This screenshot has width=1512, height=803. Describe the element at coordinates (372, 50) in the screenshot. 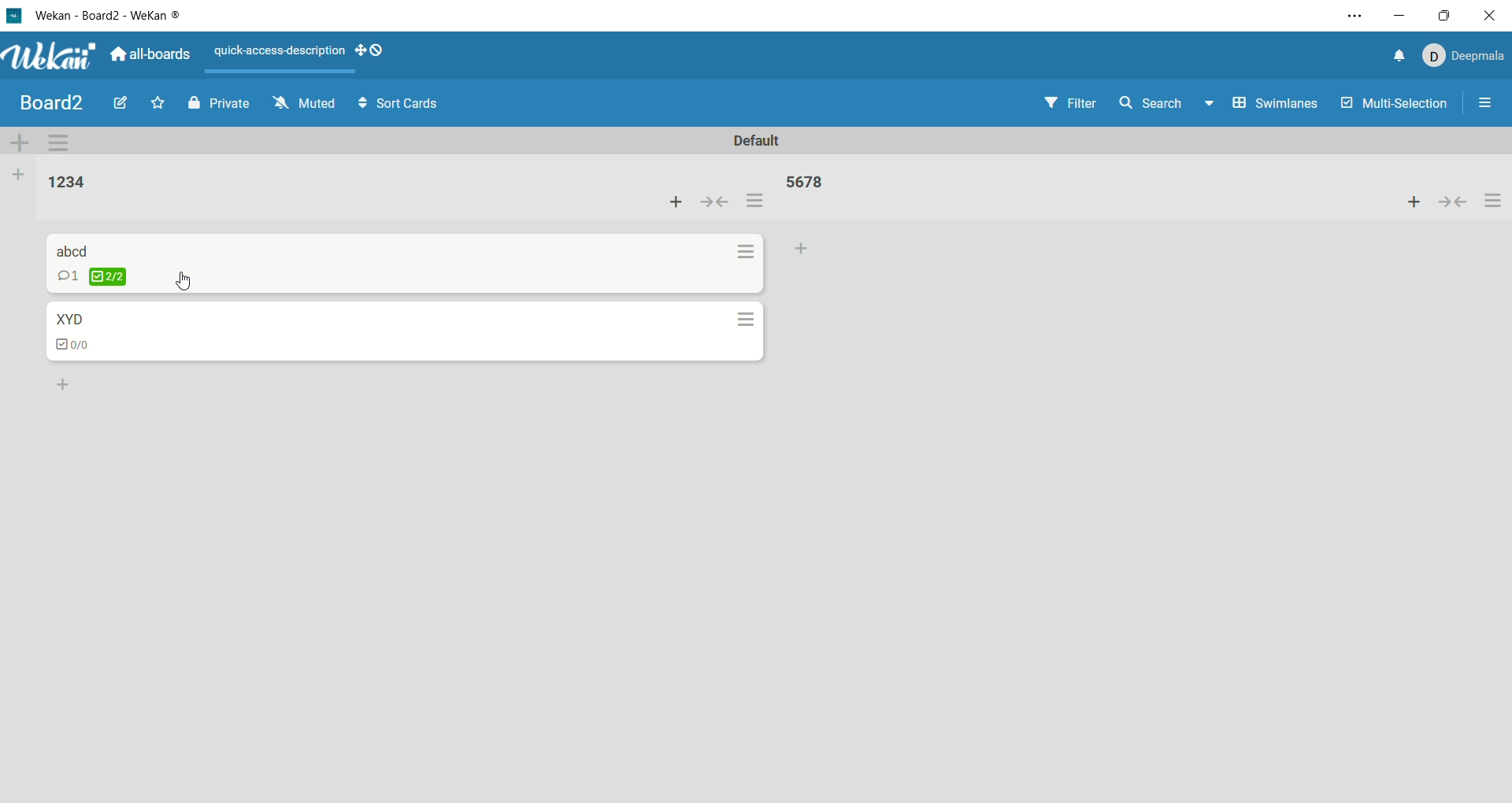

I see `show-desktop-drag-handles` at that location.